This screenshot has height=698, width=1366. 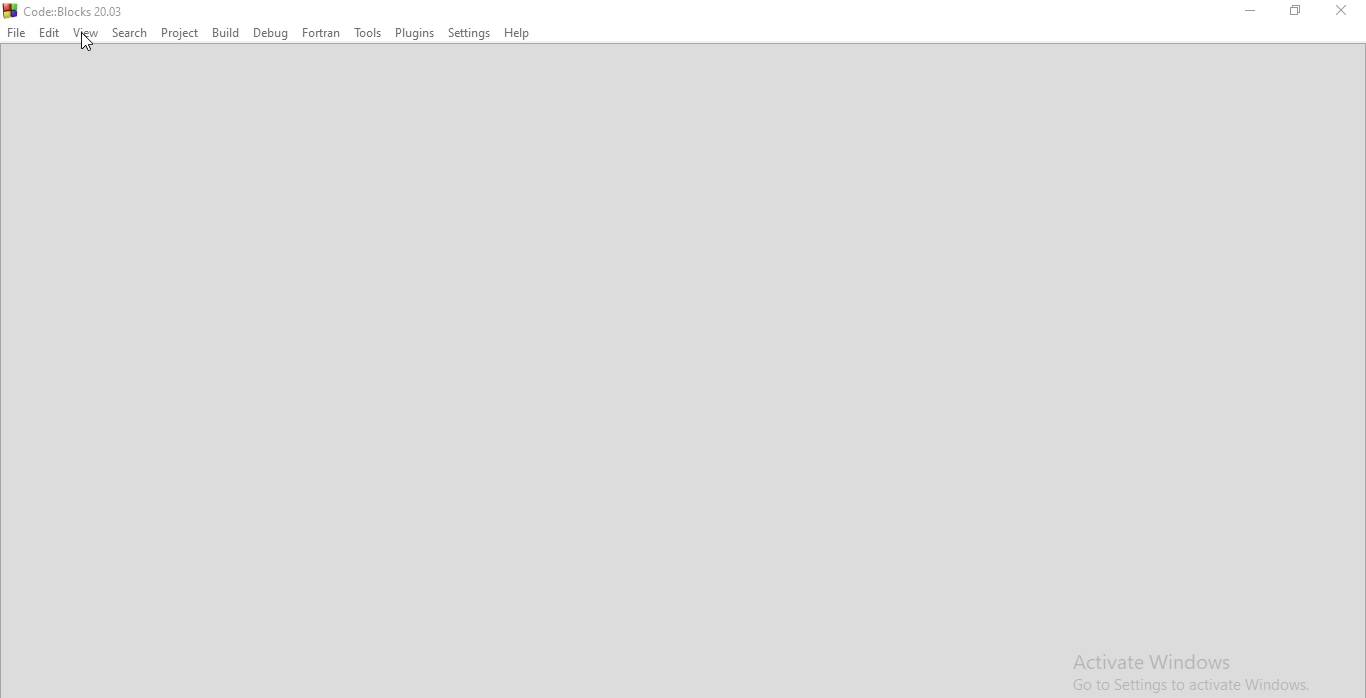 What do you see at coordinates (1342, 11) in the screenshot?
I see `Close` at bounding box center [1342, 11].